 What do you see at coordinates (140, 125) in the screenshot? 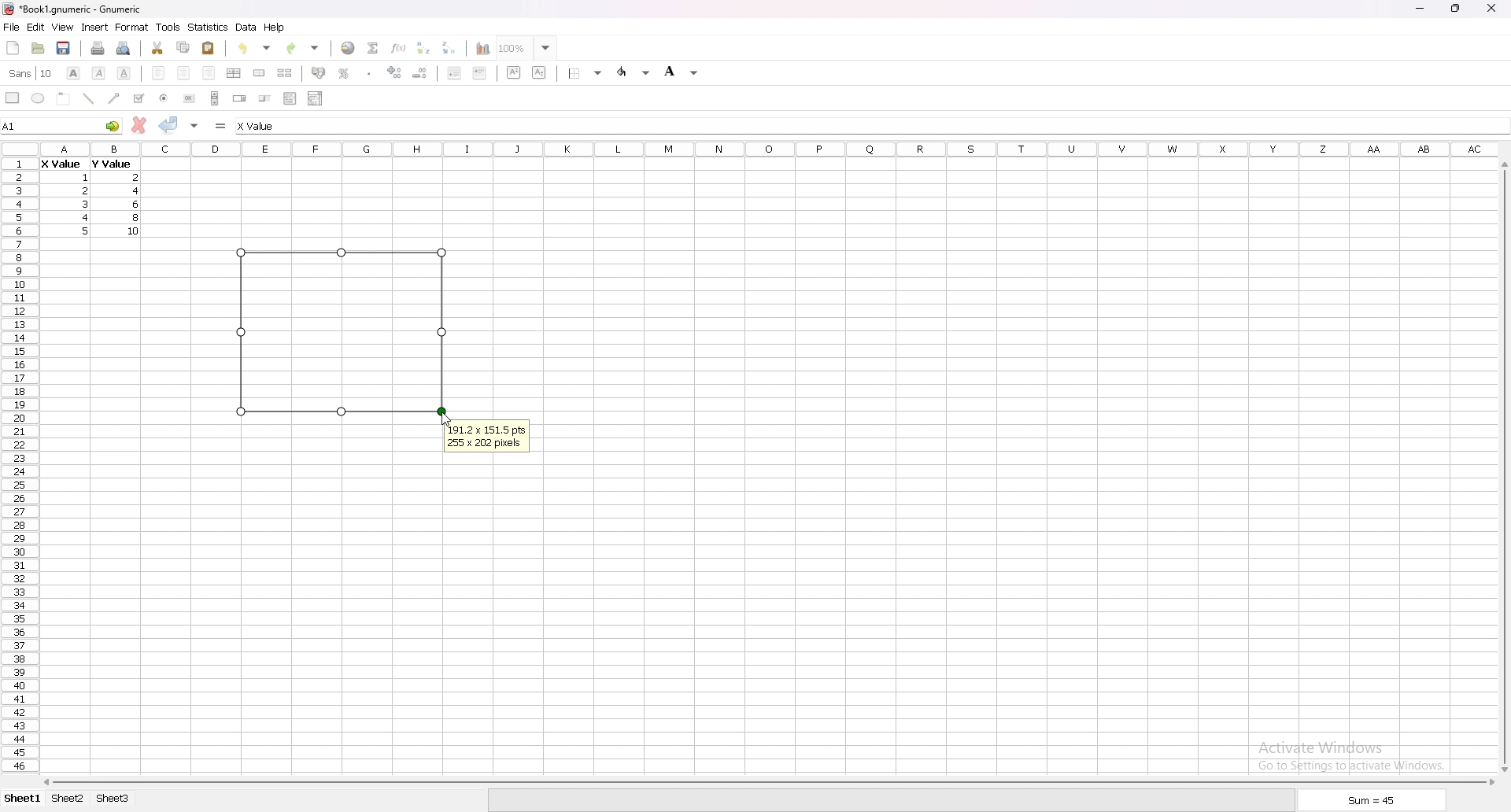
I see `cancel change` at bounding box center [140, 125].